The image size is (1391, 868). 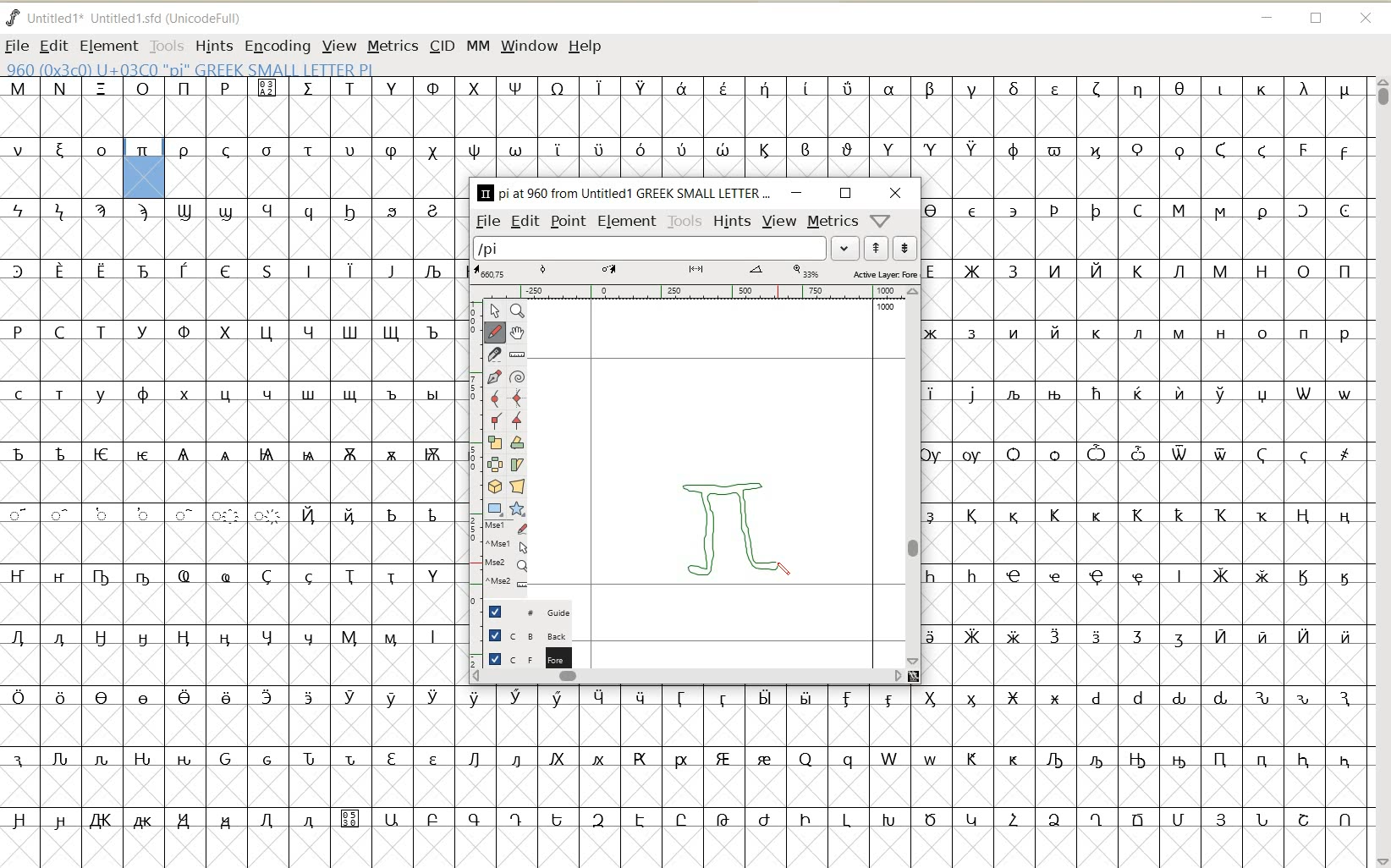 I want to click on glyph characters, so click(x=1158, y=442).